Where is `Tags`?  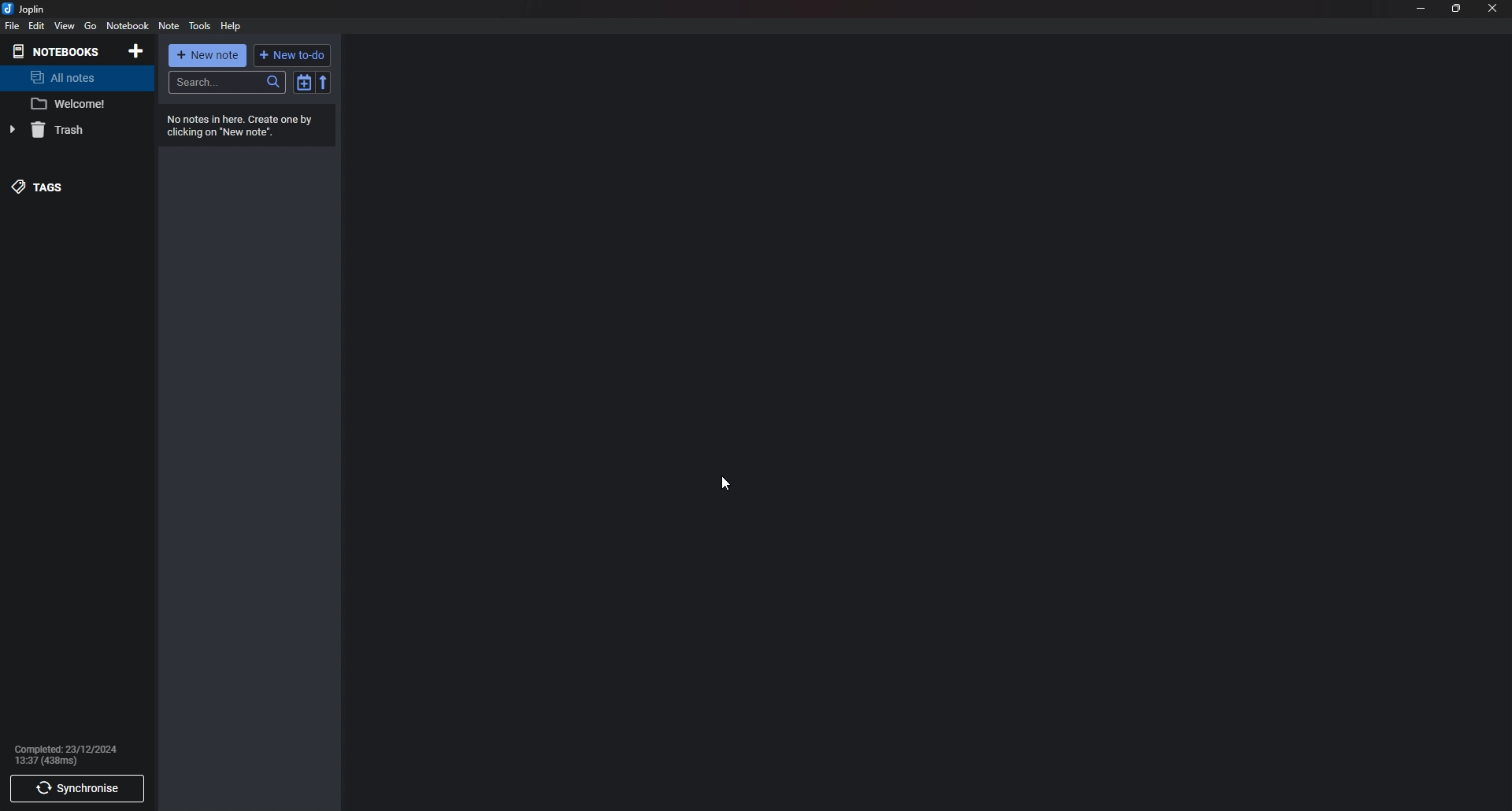
Tags is located at coordinates (59, 186).